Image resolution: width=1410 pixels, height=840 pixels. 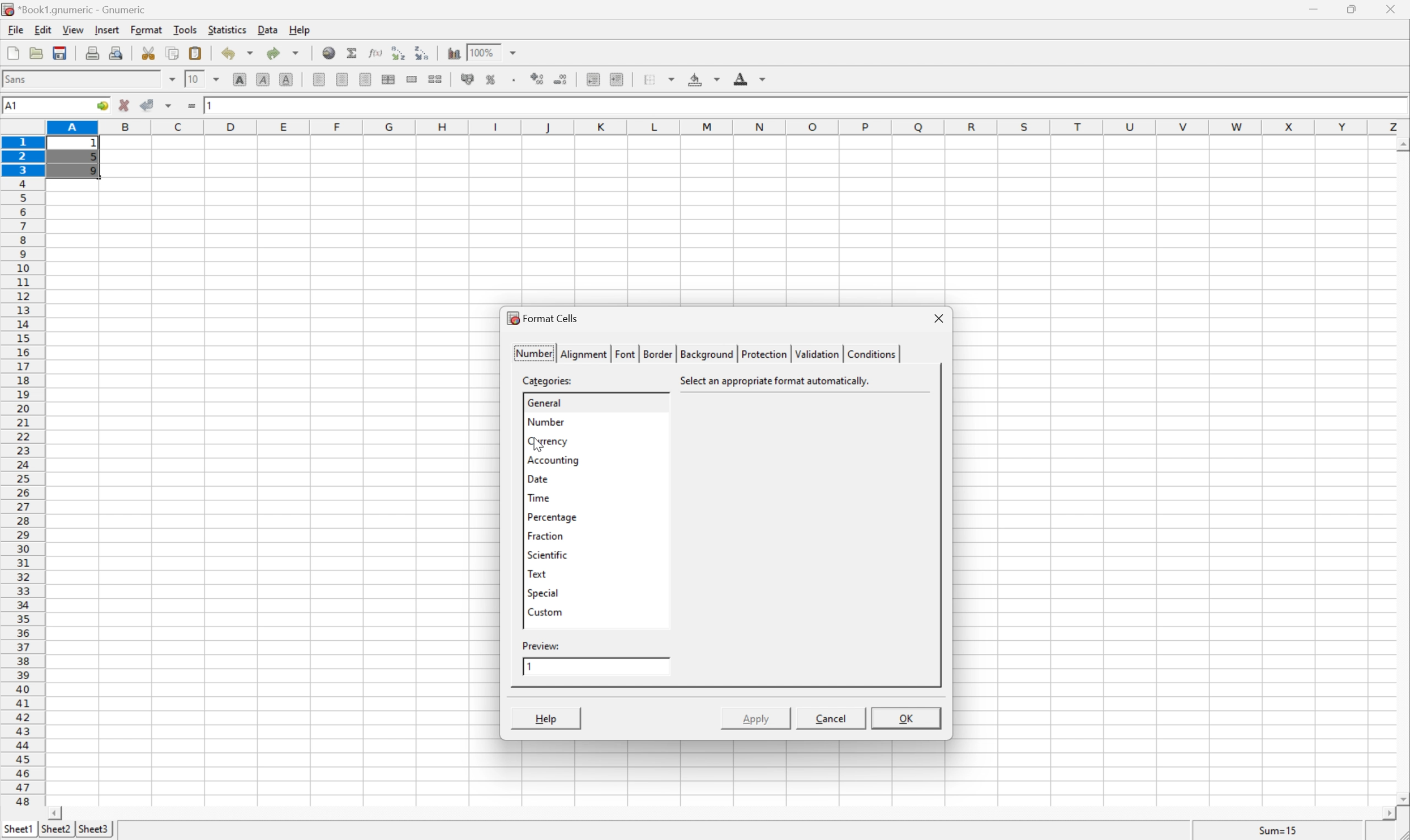 I want to click on insert hyperlink, so click(x=330, y=52).